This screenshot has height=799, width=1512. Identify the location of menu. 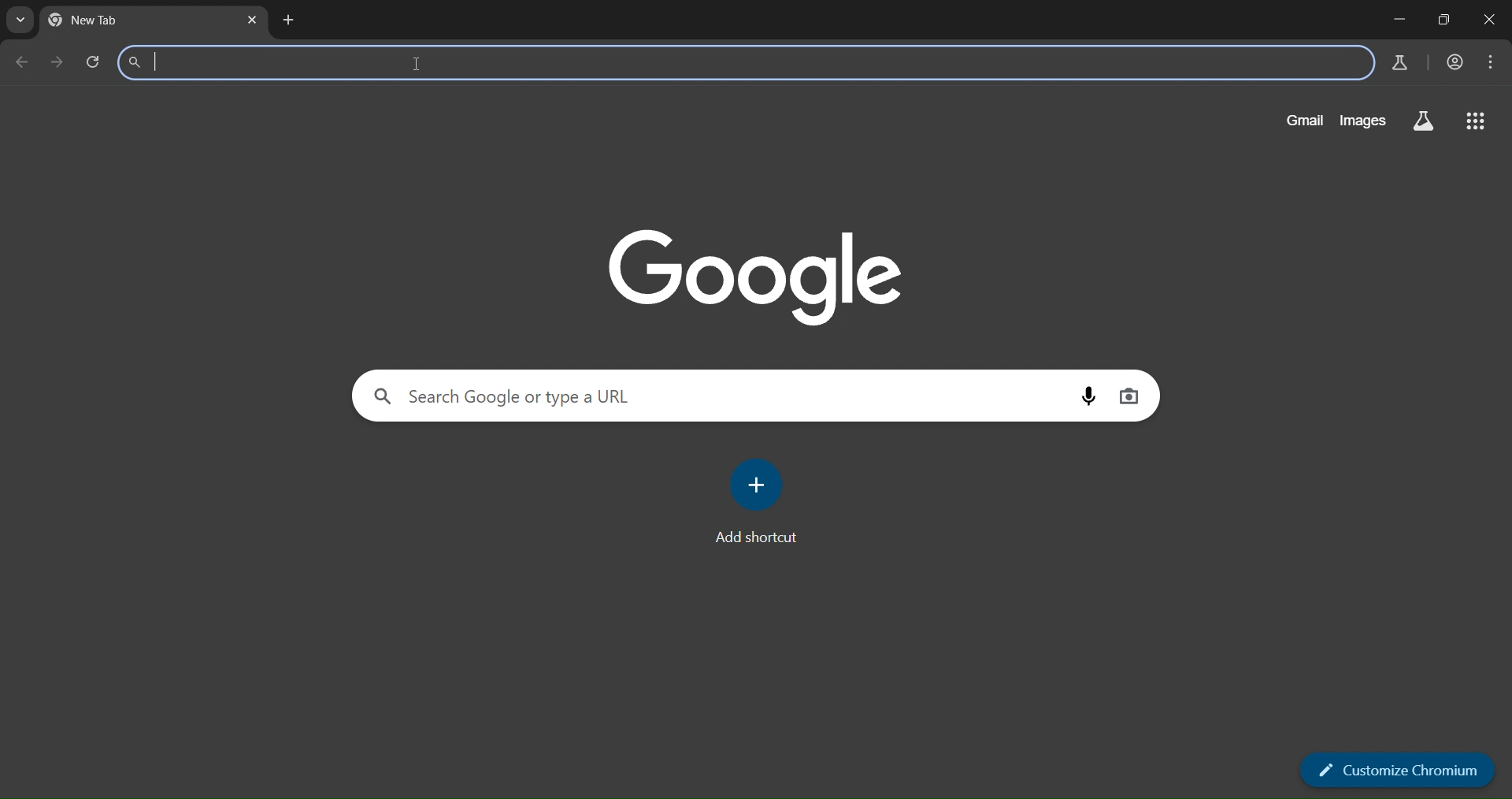
(1489, 63).